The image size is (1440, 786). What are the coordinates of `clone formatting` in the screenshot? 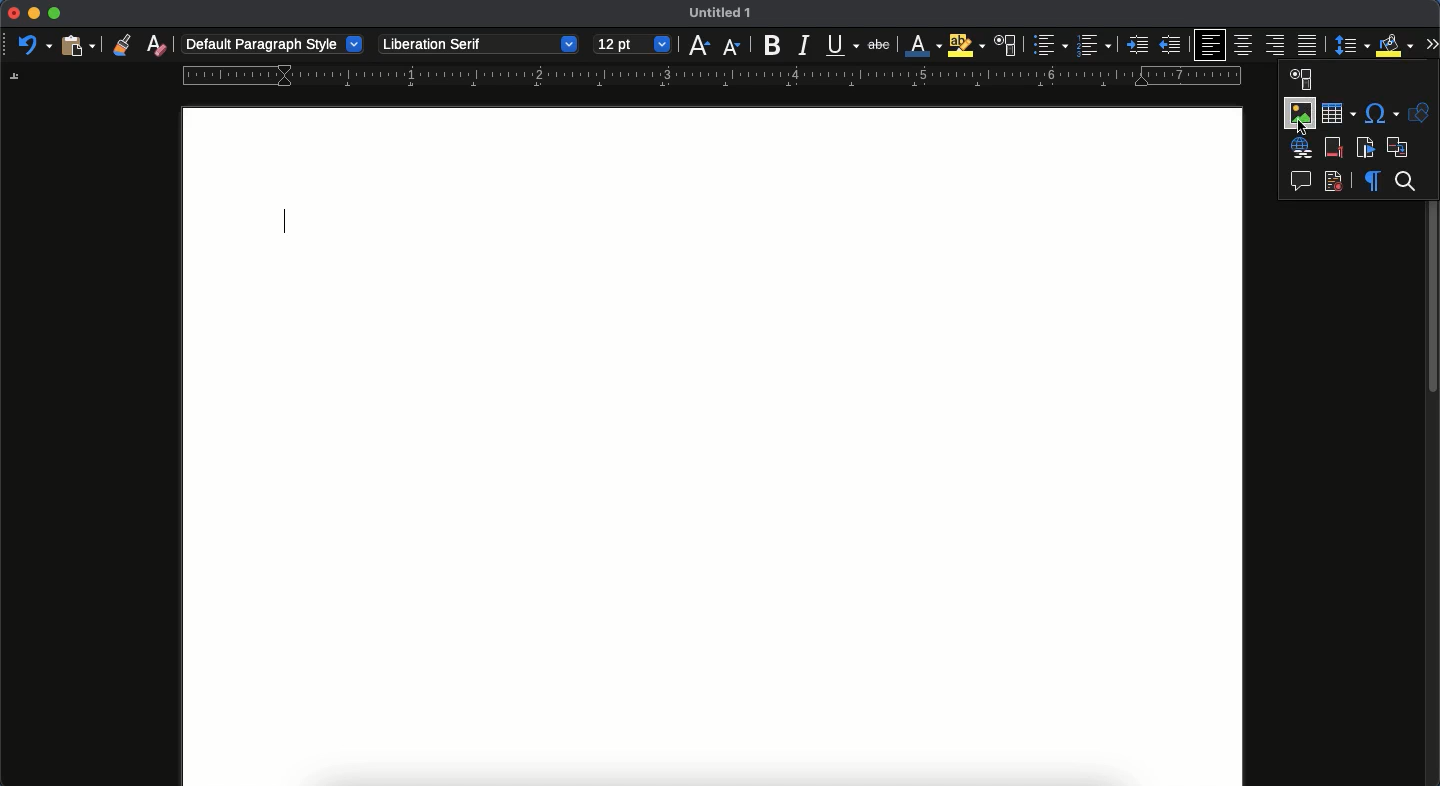 It's located at (121, 43).